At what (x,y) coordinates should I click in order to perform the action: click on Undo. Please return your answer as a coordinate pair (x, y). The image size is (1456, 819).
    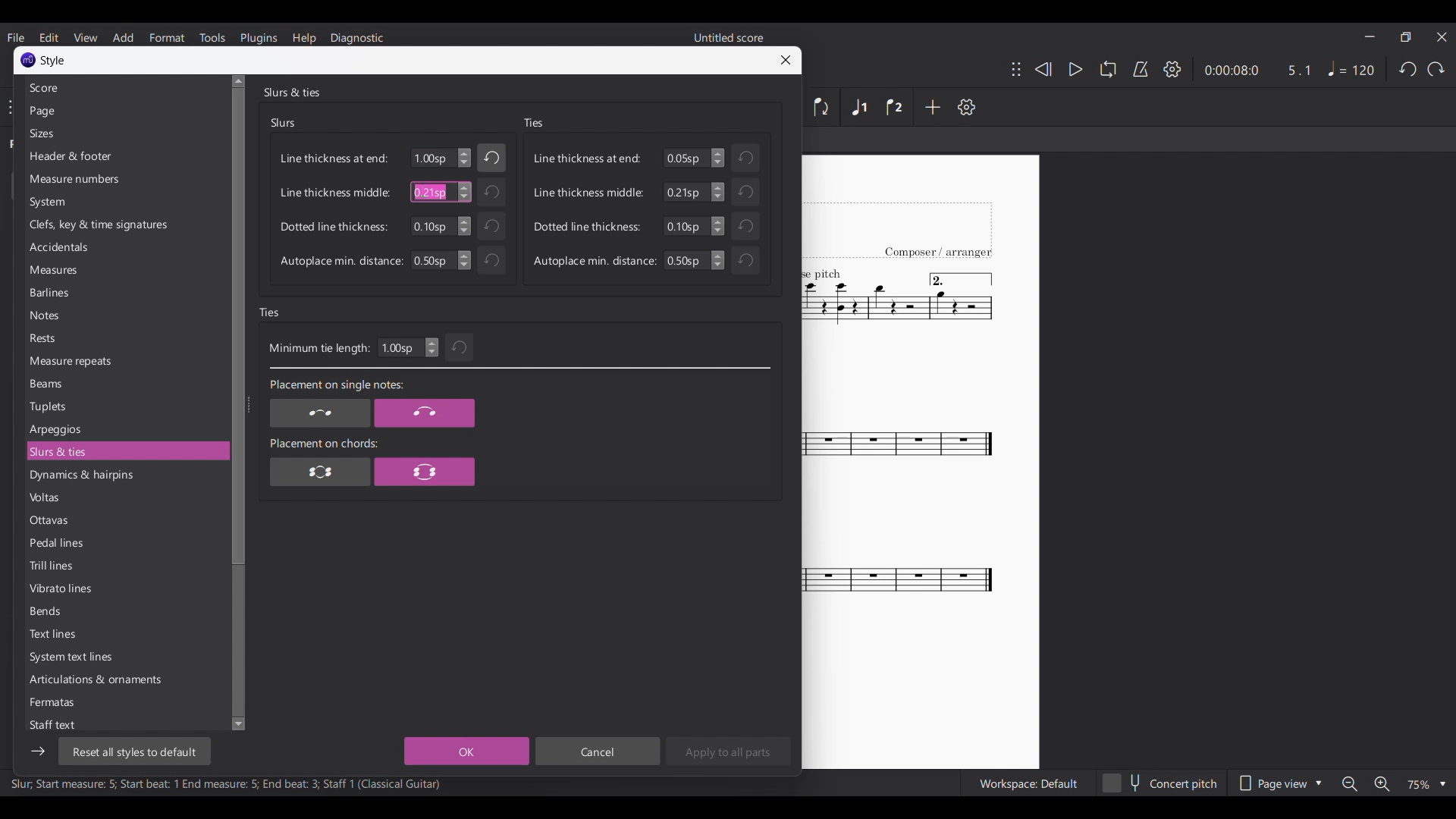
    Looking at the image, I should click on (1407, 69).